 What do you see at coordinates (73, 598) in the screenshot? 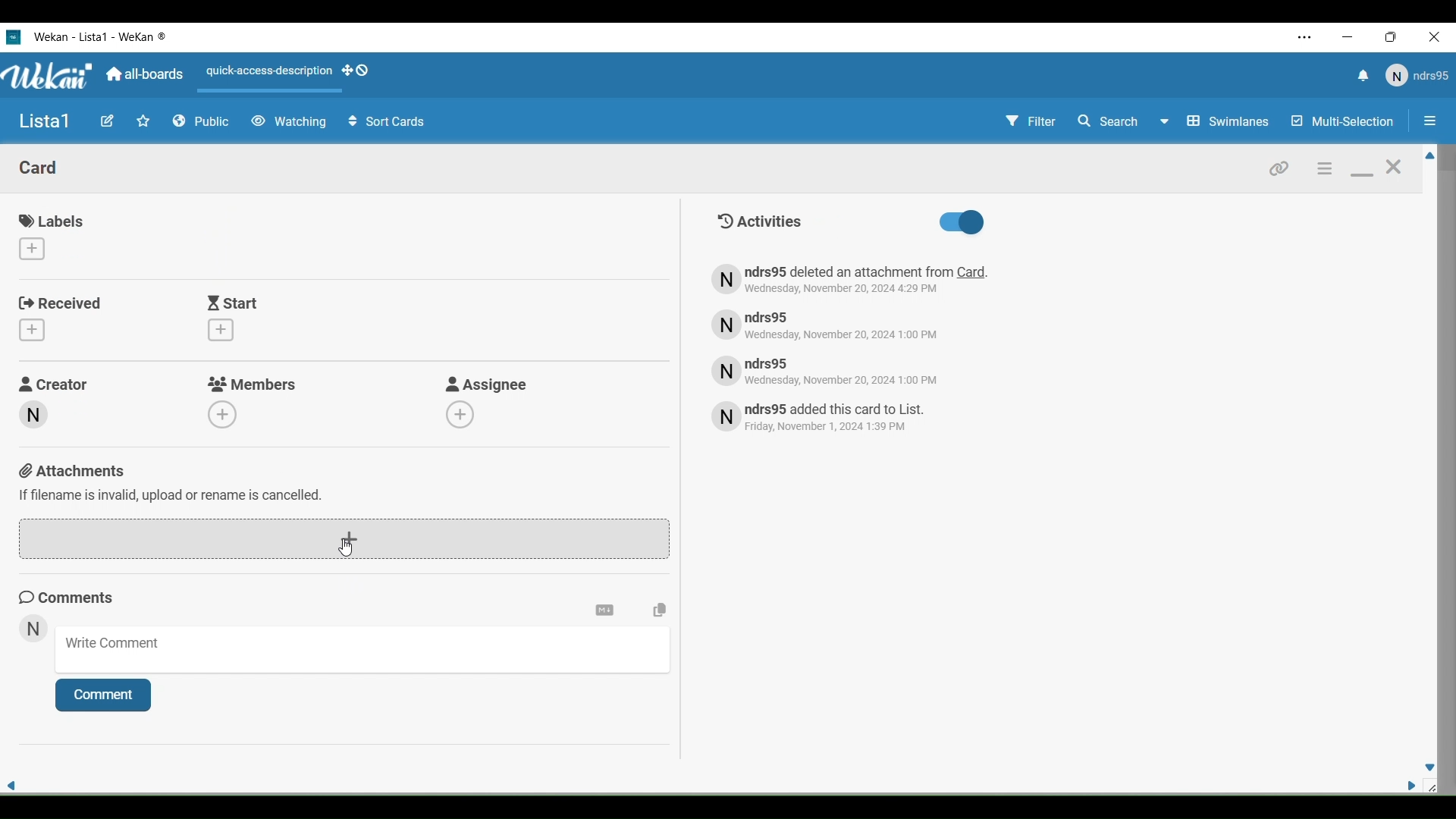
I see `Comments` at bounding box center [73, 598].